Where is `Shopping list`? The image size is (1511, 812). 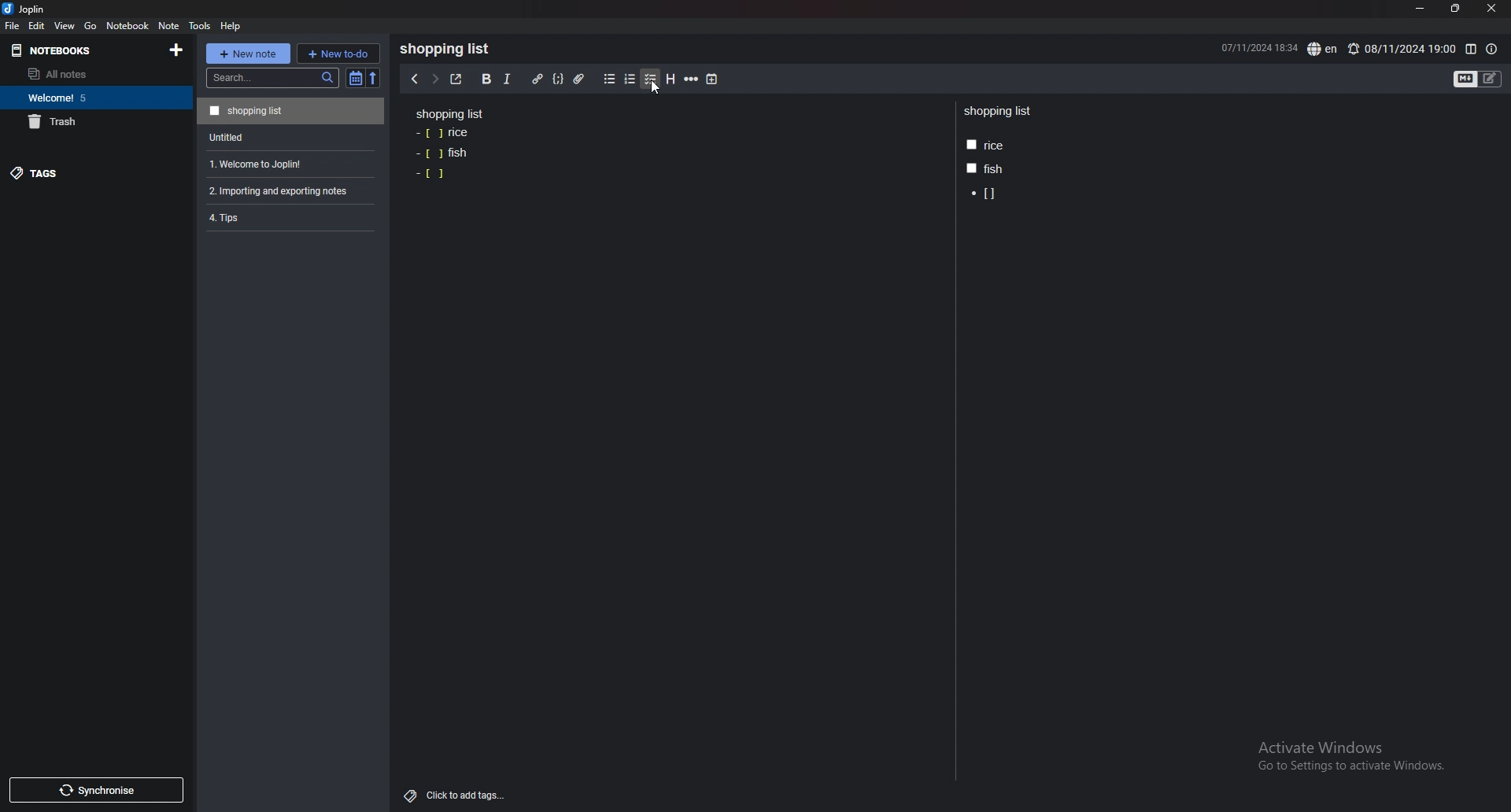 Shopping list is located at coordinates (999, 112).